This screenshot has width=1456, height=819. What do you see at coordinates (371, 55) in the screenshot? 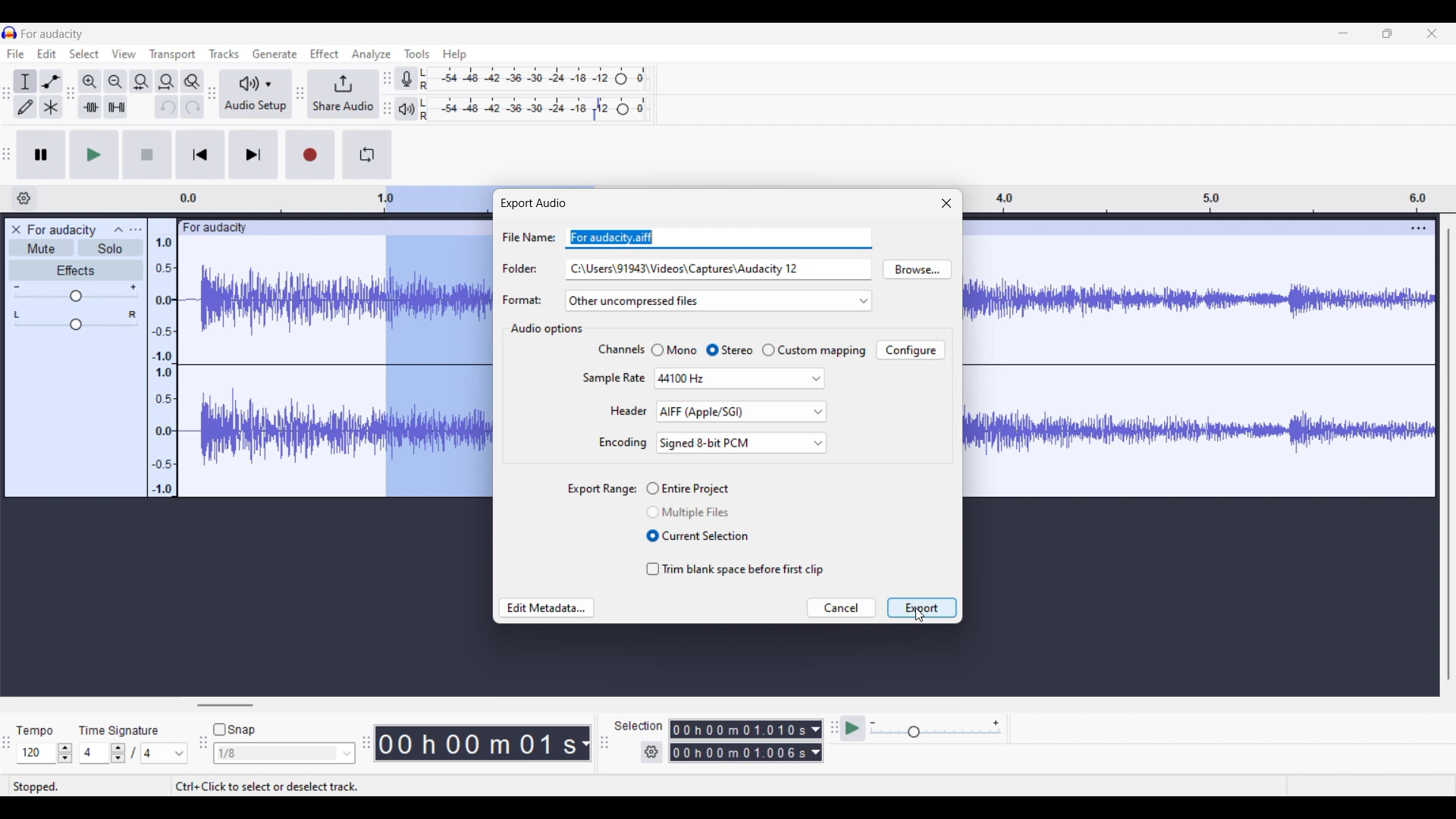
I see `Analyze menu` at bounding box center [371, 55].